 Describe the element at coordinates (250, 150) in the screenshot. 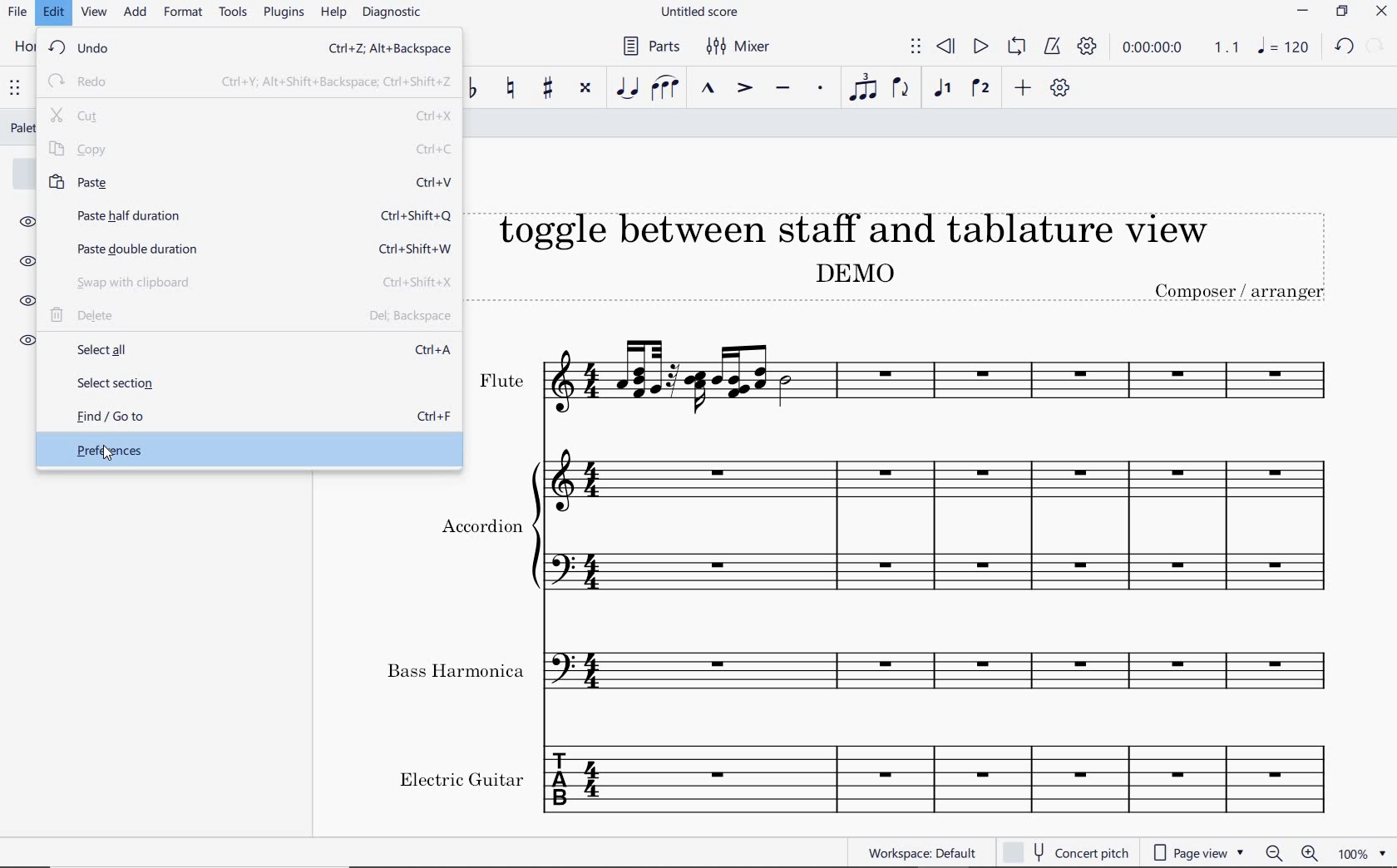

I see `copy` at that location.